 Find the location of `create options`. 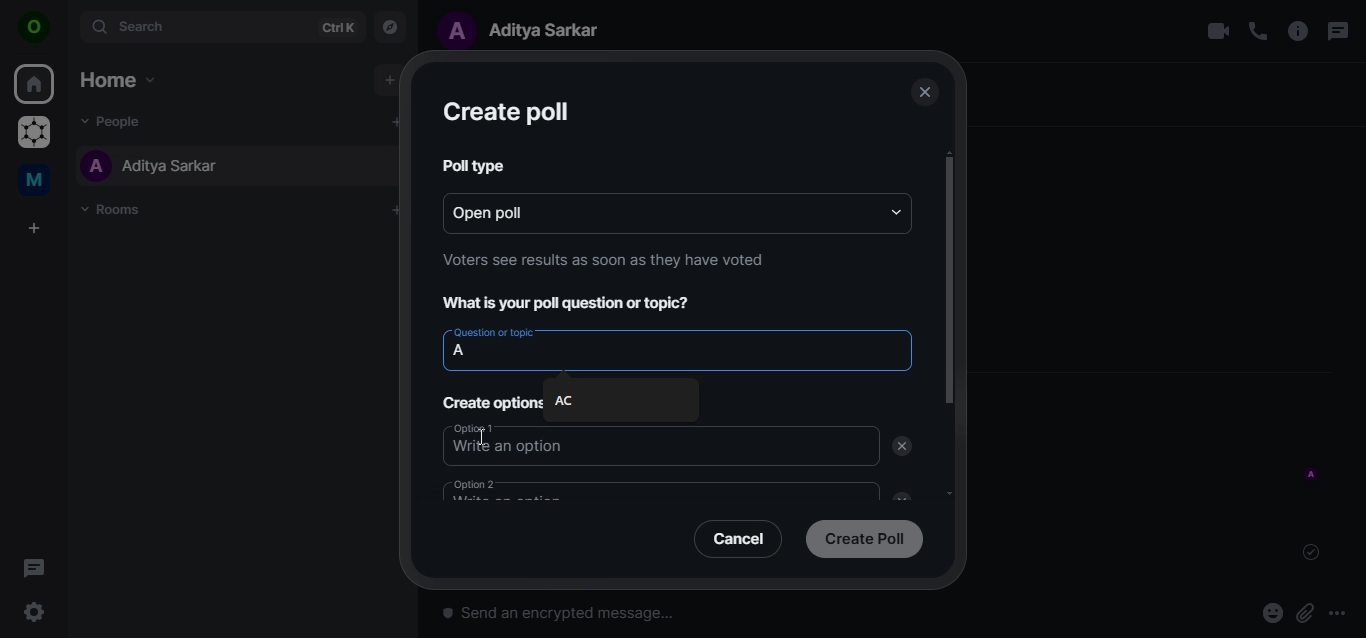

create options is located at coordinates (494, 402).